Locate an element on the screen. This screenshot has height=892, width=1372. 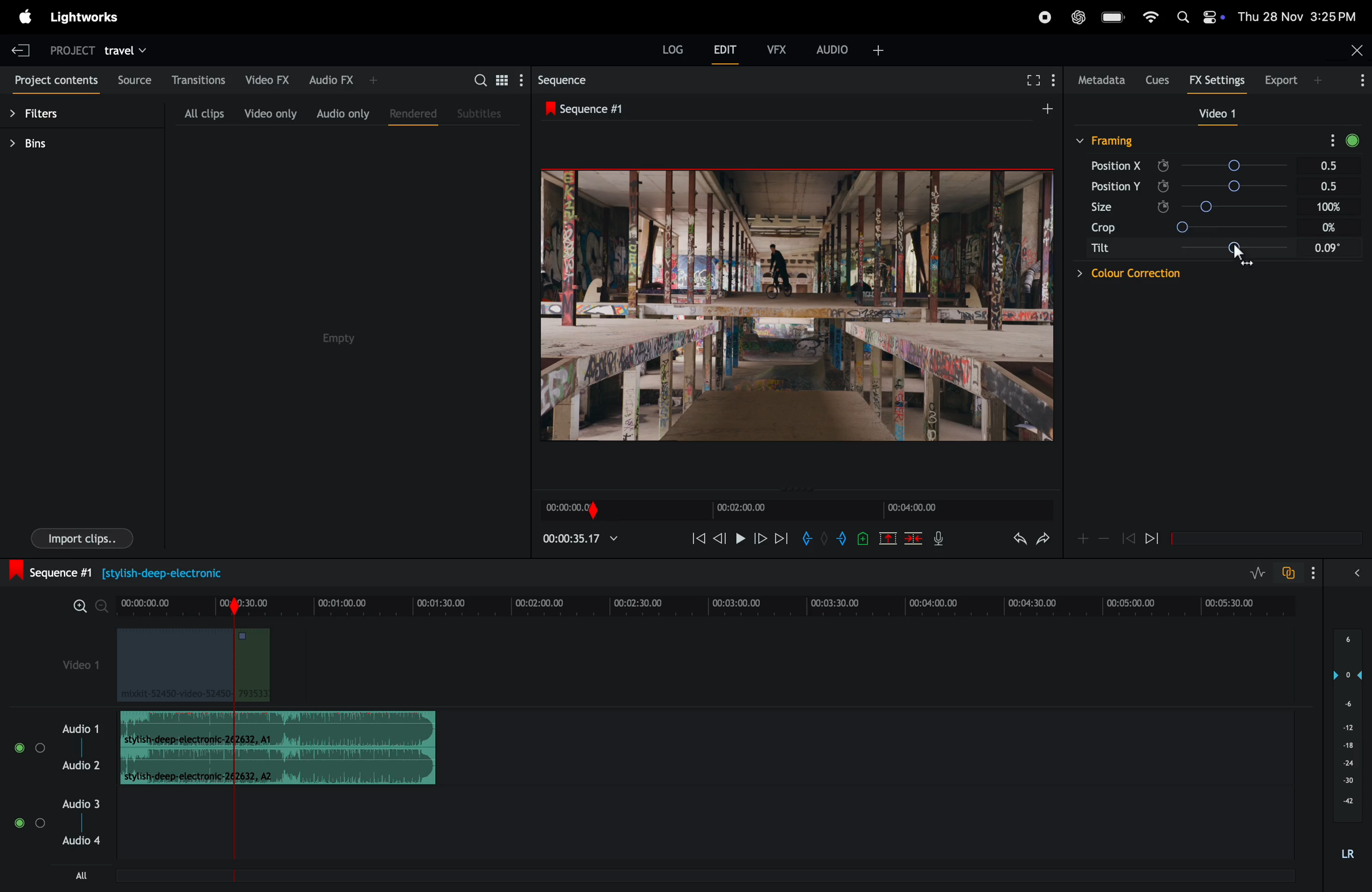
output frames is located at coordinates (798, 308).